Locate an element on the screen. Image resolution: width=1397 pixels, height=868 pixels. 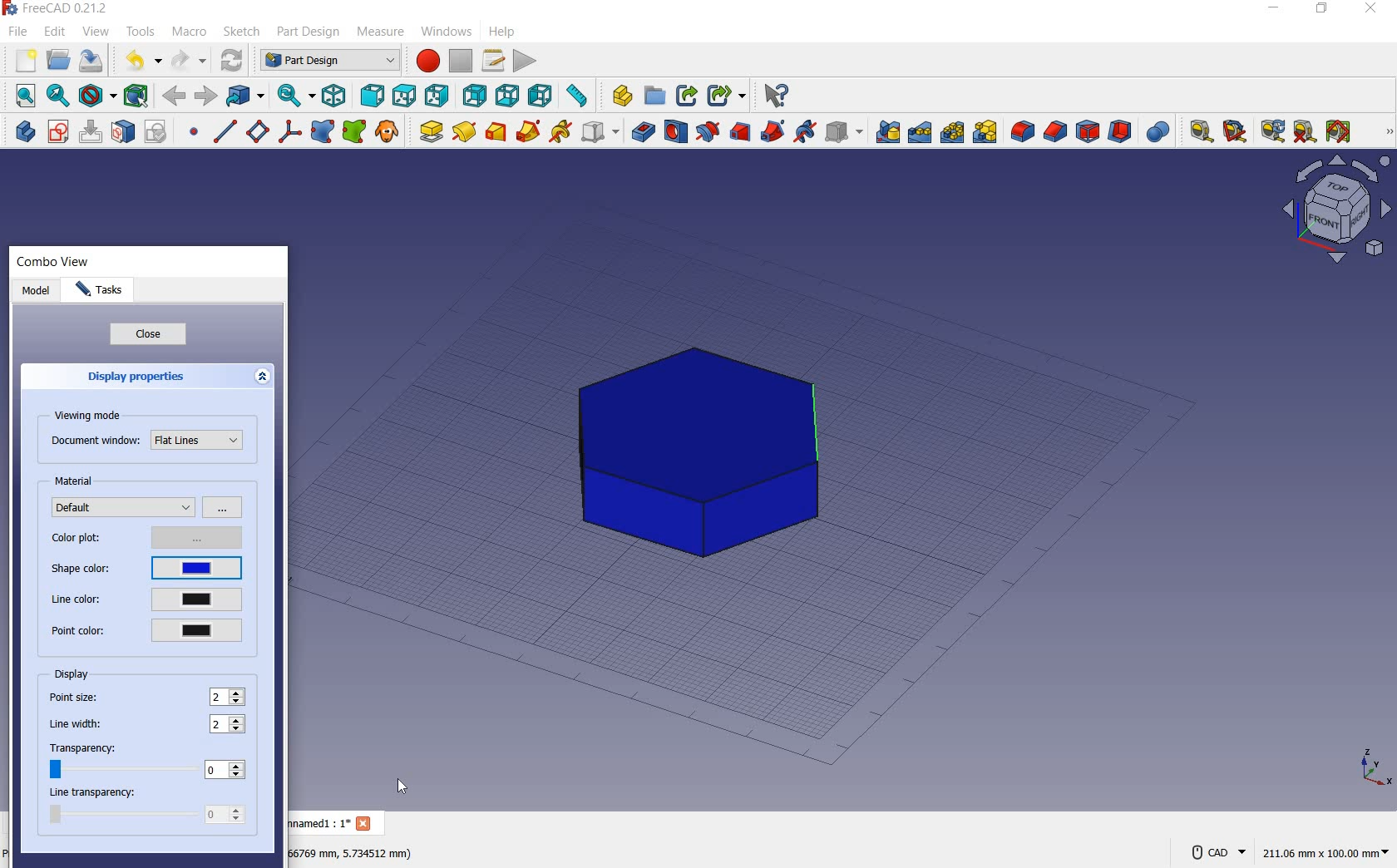
create group is located at coordinates (655, 96).